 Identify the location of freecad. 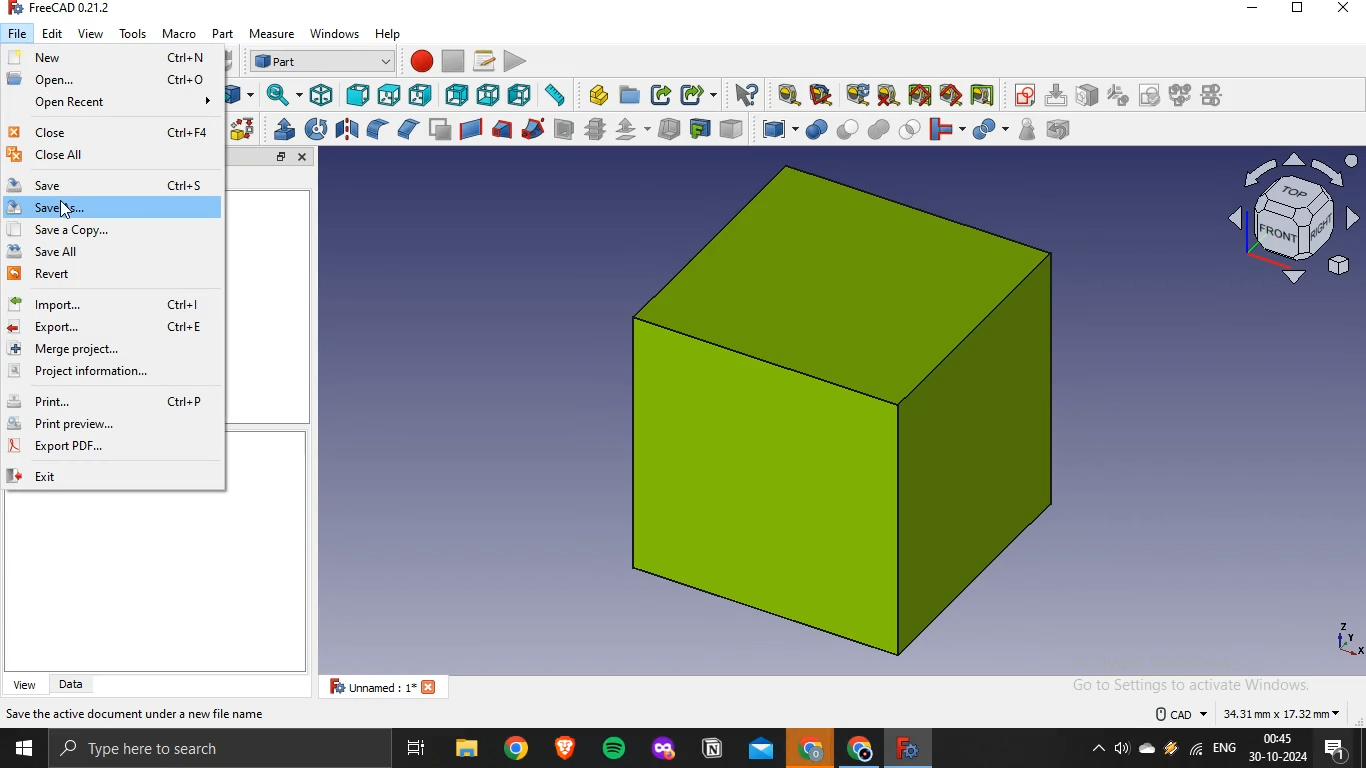
(910, 748).